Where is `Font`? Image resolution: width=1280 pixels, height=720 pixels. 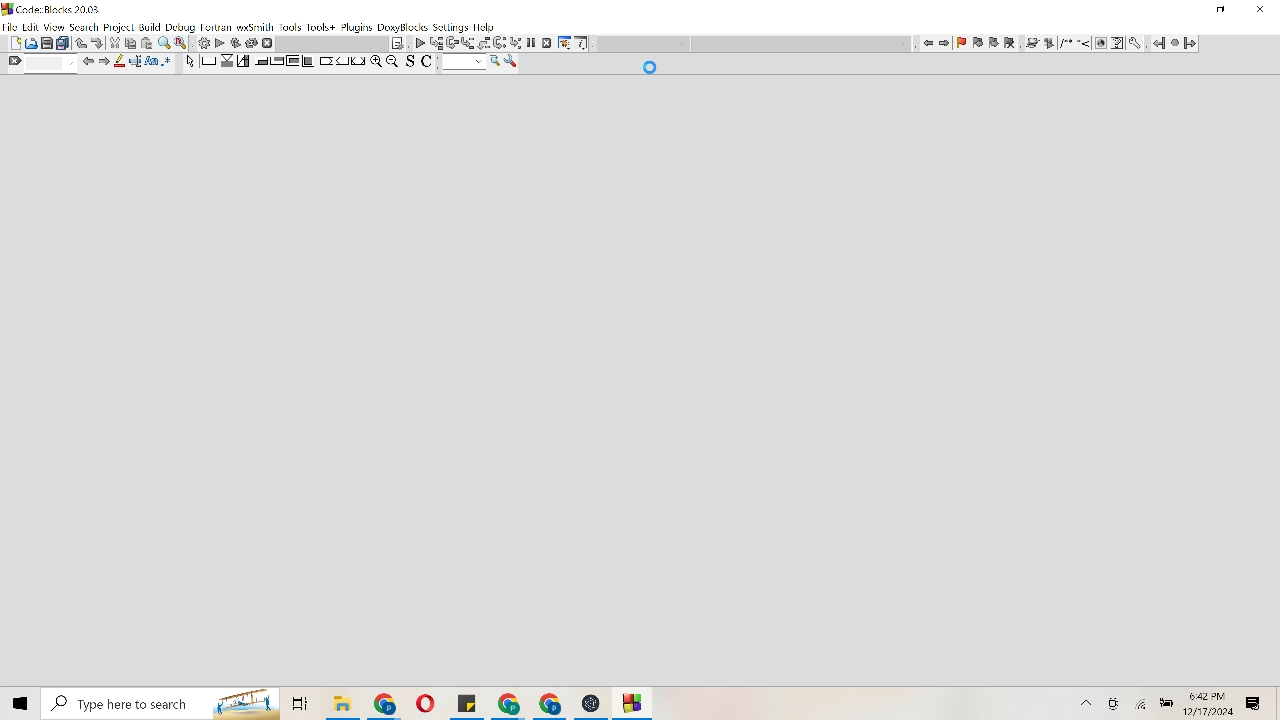 Font is located at coordinates (153, 62).